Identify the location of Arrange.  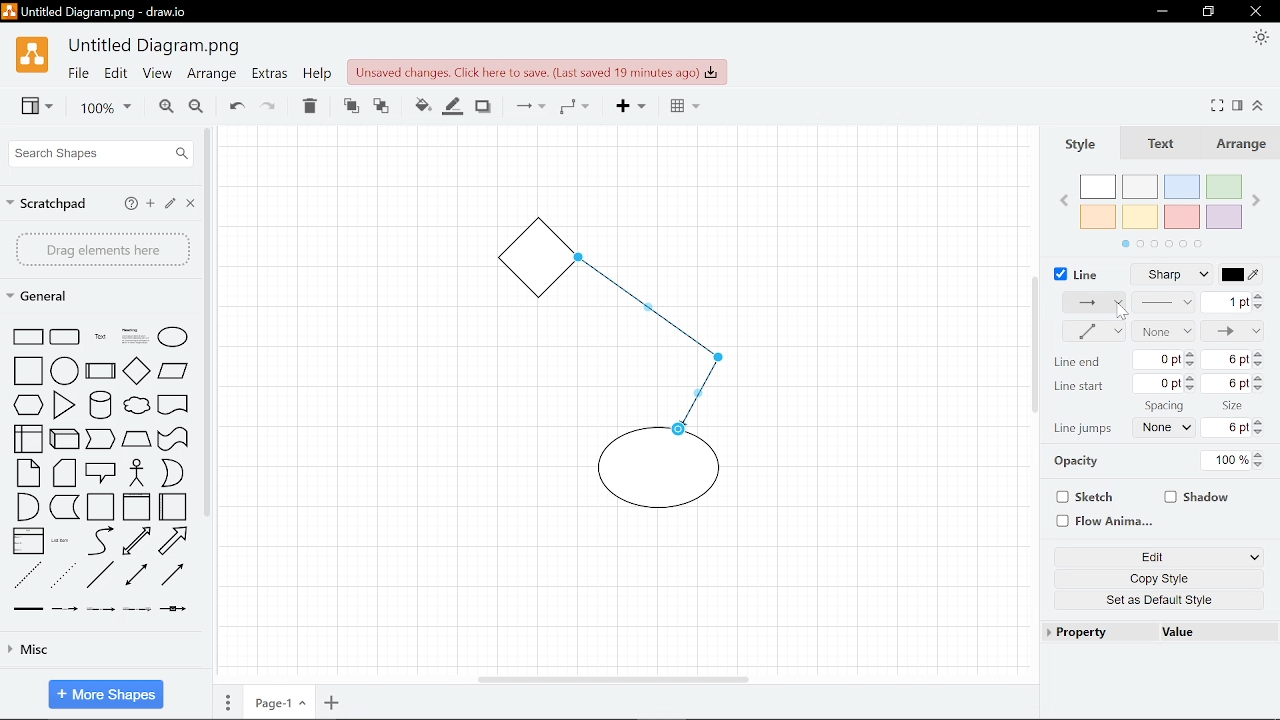
(1245, 146).